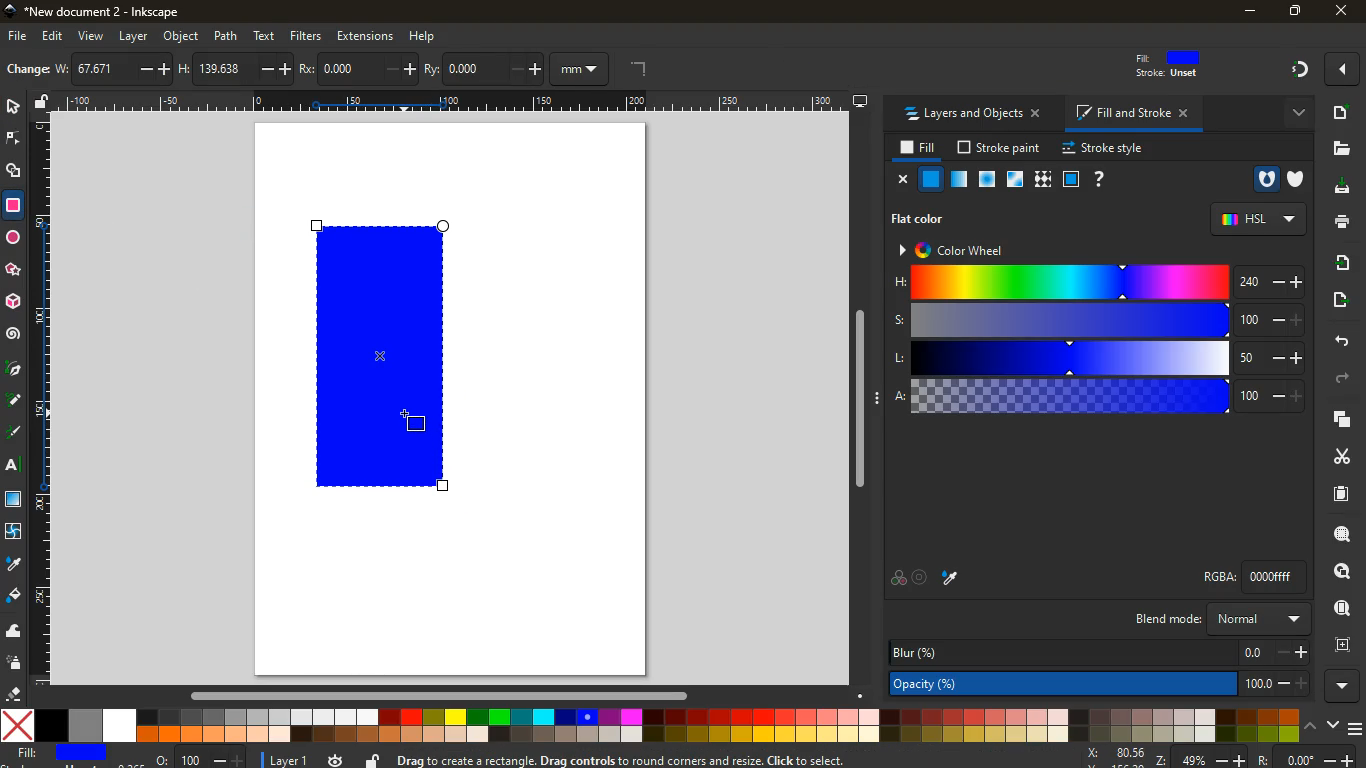 Image resolution: width=1366 pixels, height=768 pixels. I want to click on w, so click(114, 69).